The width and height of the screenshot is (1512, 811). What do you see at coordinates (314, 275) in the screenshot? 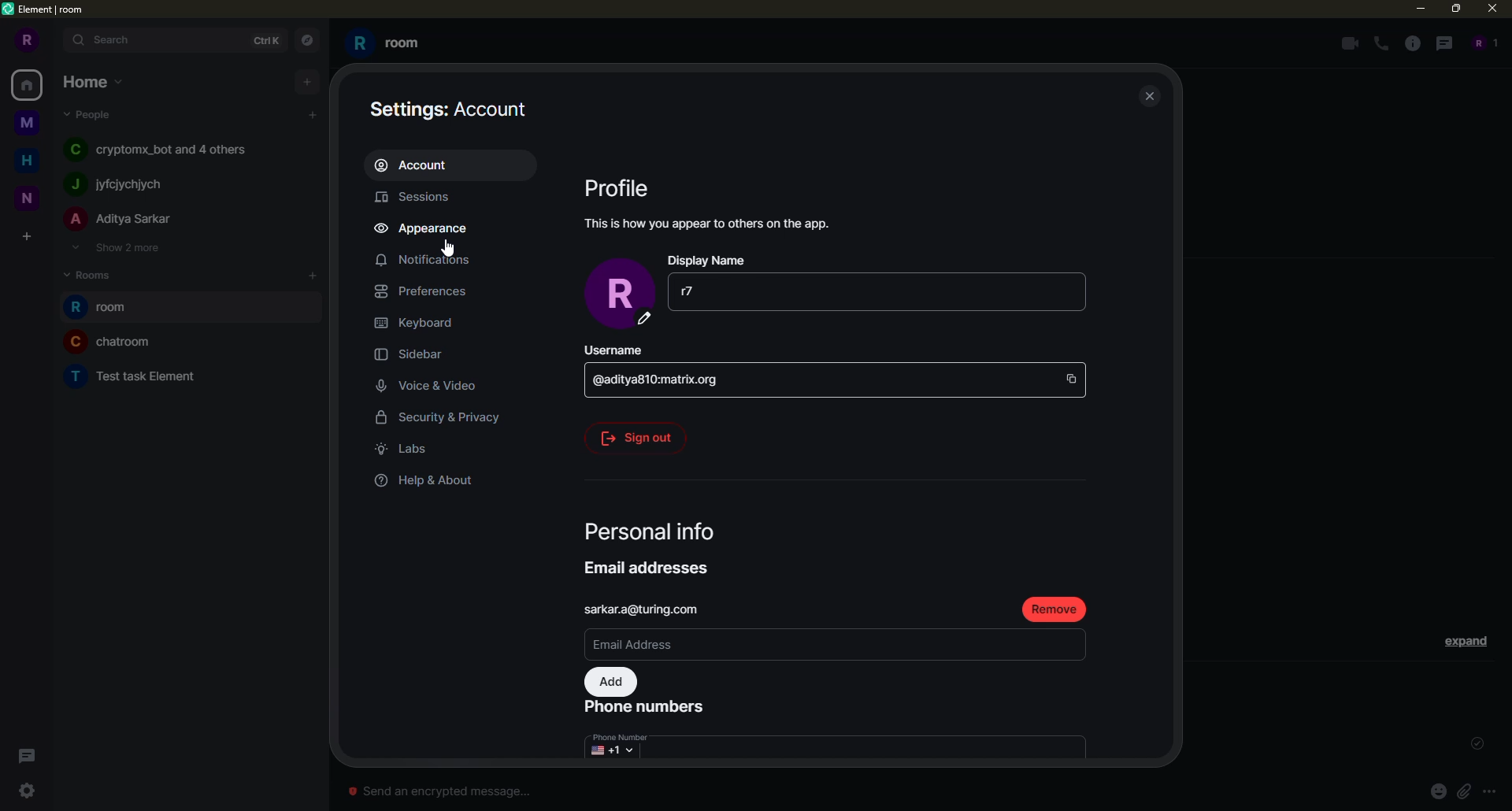
I see `add` at bounding box center [314, 275].